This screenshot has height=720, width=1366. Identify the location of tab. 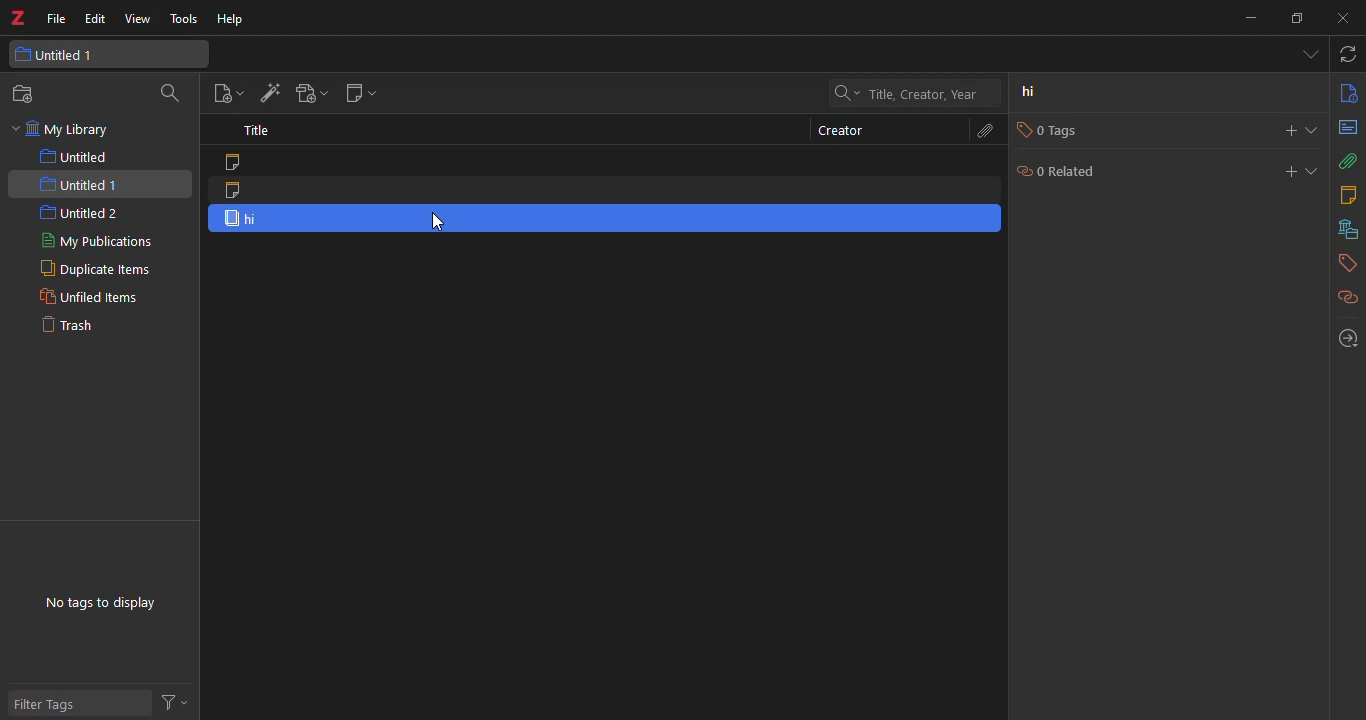
(1306, 55).